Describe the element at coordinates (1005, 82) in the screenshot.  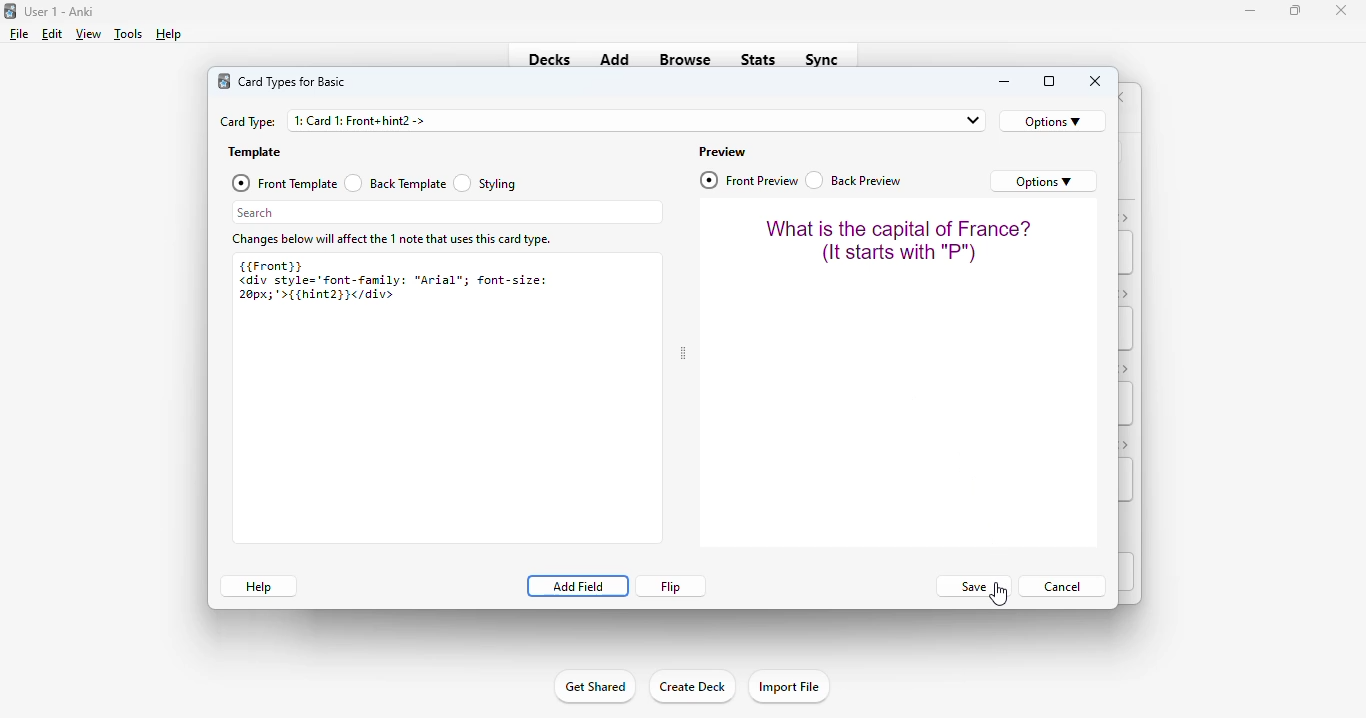
I see `minimize` at that location.